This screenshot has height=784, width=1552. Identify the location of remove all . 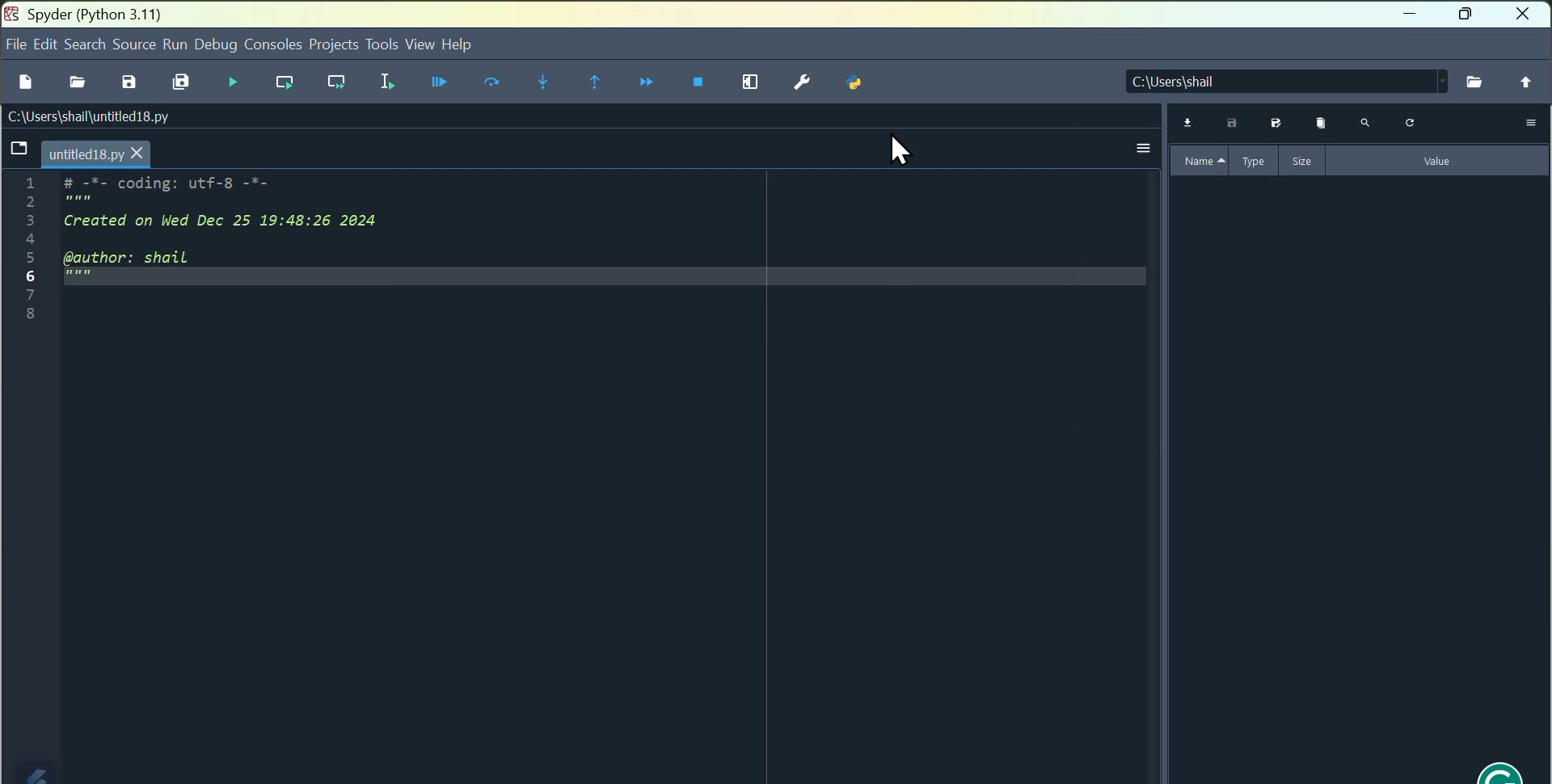
(1319, 121).